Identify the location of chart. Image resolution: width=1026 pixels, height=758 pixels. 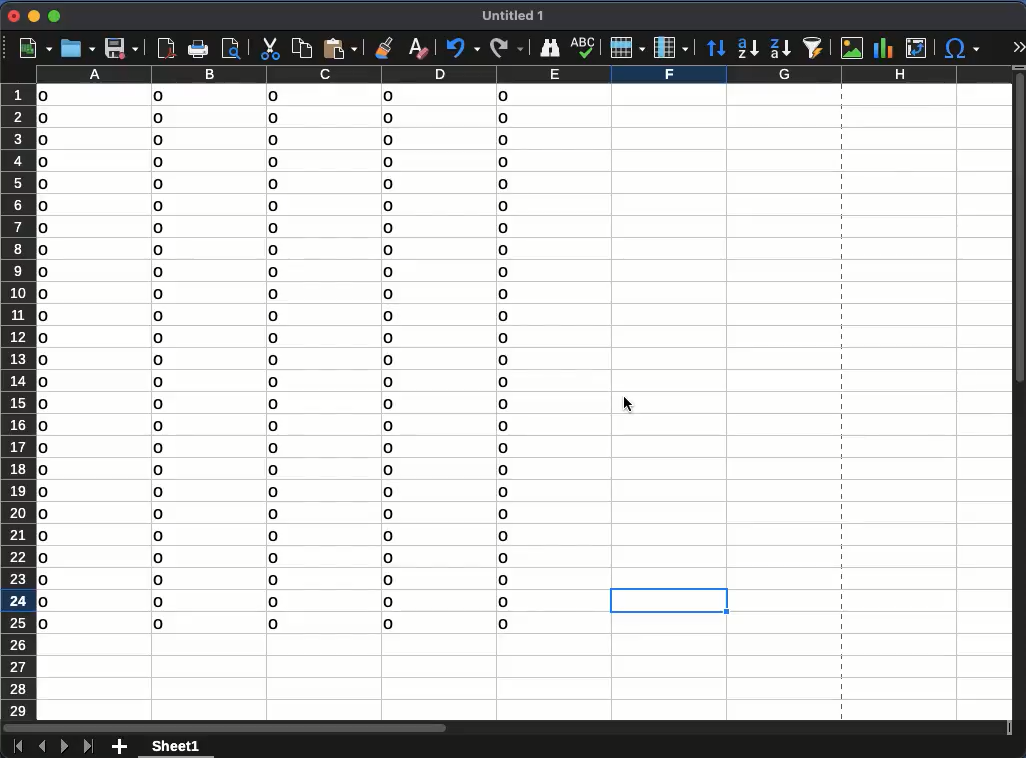
(882, 47).